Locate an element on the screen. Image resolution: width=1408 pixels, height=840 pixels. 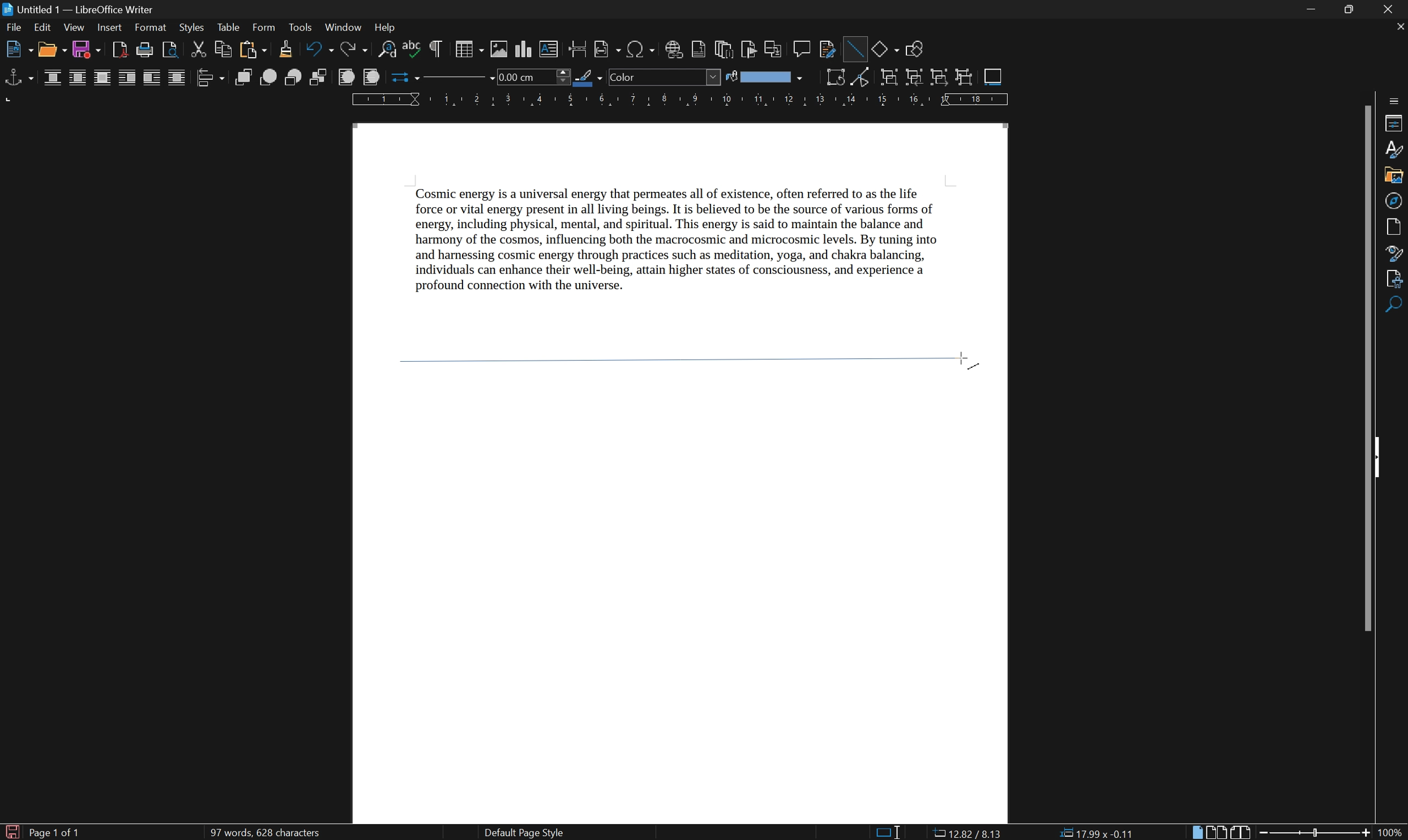
insert chart is located at coordinates (525, 49).